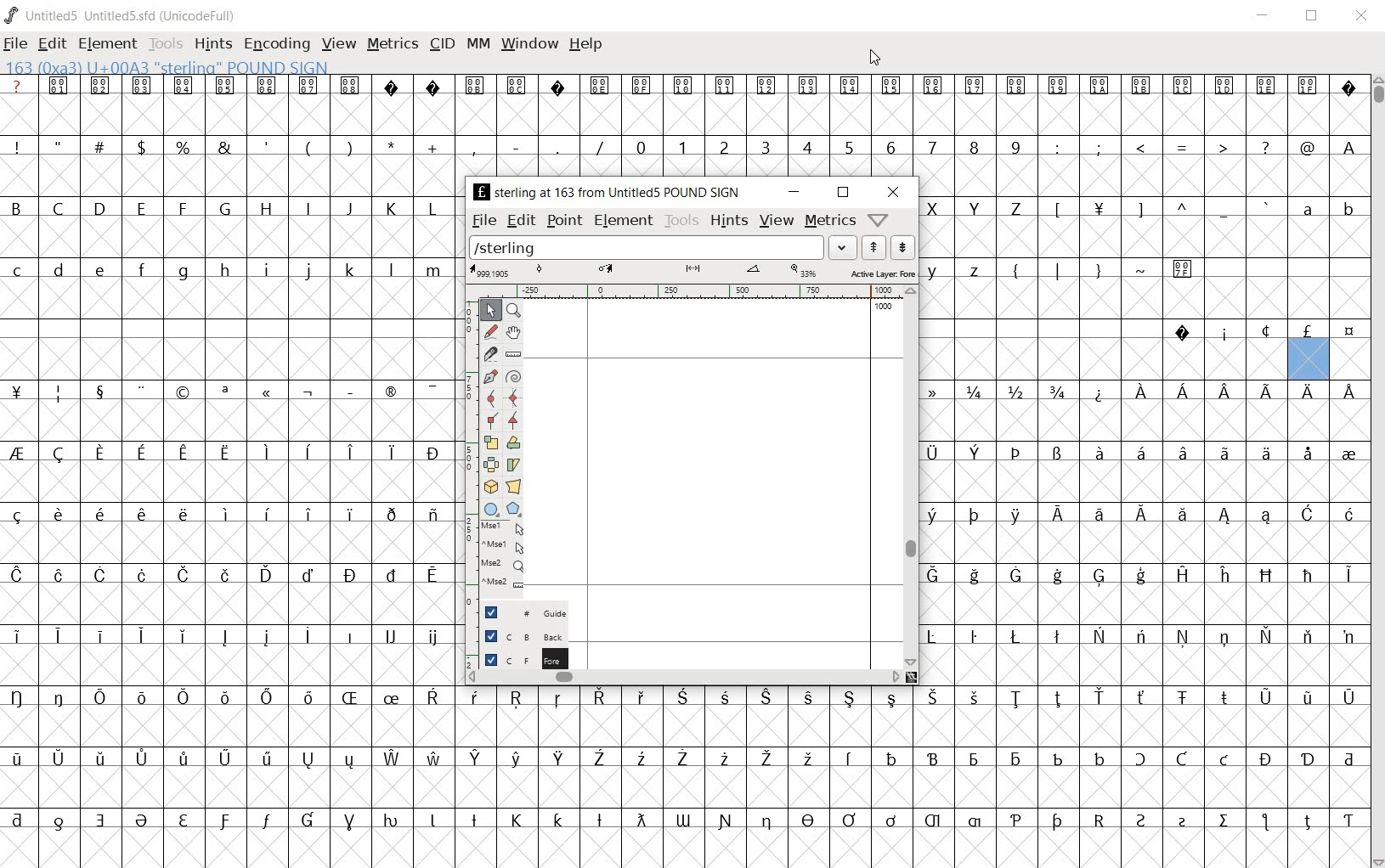 This screenshot has width=1385, height=868. I want to click on Symbol, so click(228, 450).